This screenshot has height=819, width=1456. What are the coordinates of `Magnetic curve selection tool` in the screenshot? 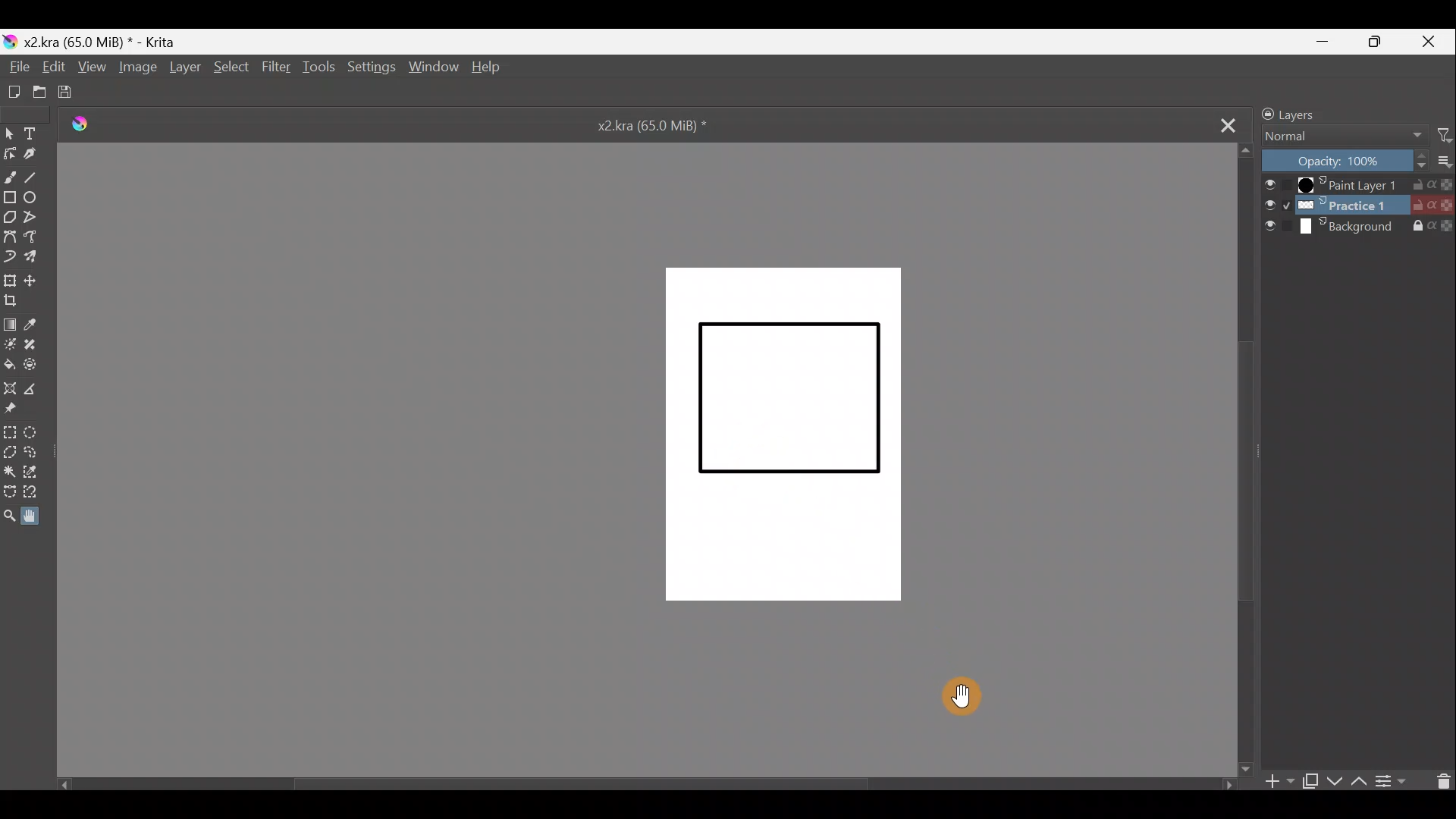 It's located at (43, 493).